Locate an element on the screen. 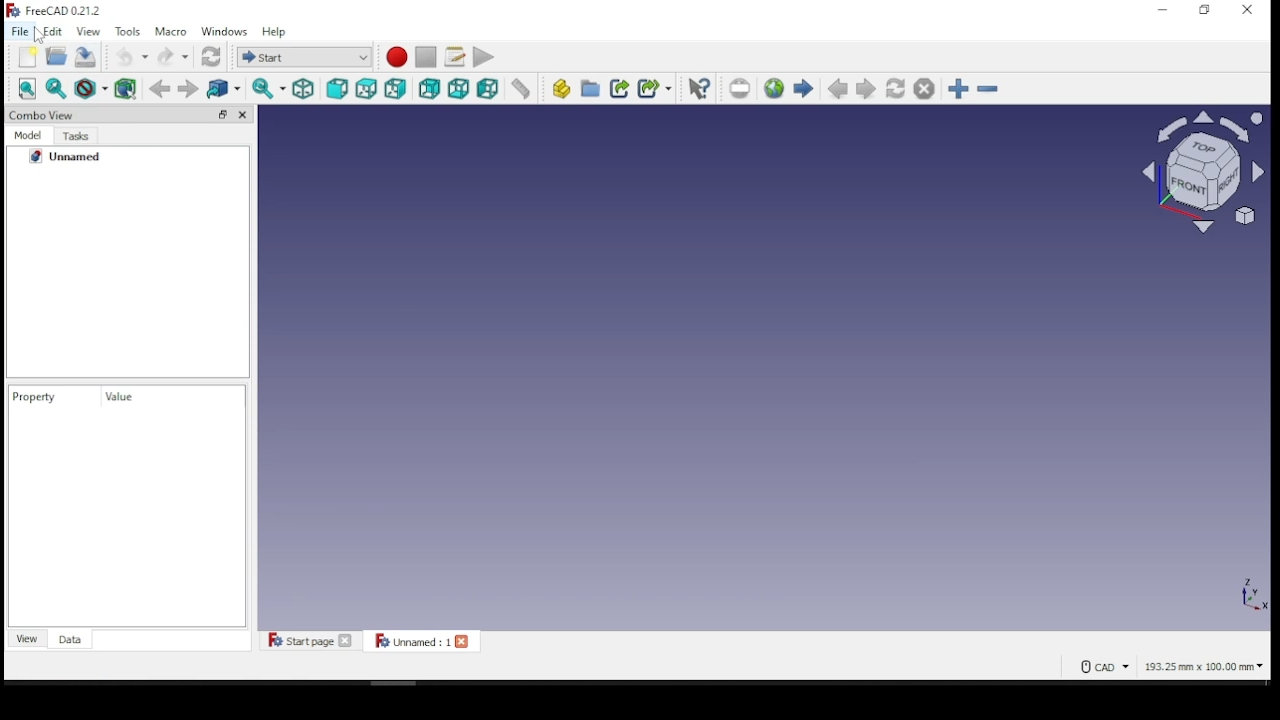 This screenshot has width=1280, height=720. fir selection is located at coordinates (57, 88).